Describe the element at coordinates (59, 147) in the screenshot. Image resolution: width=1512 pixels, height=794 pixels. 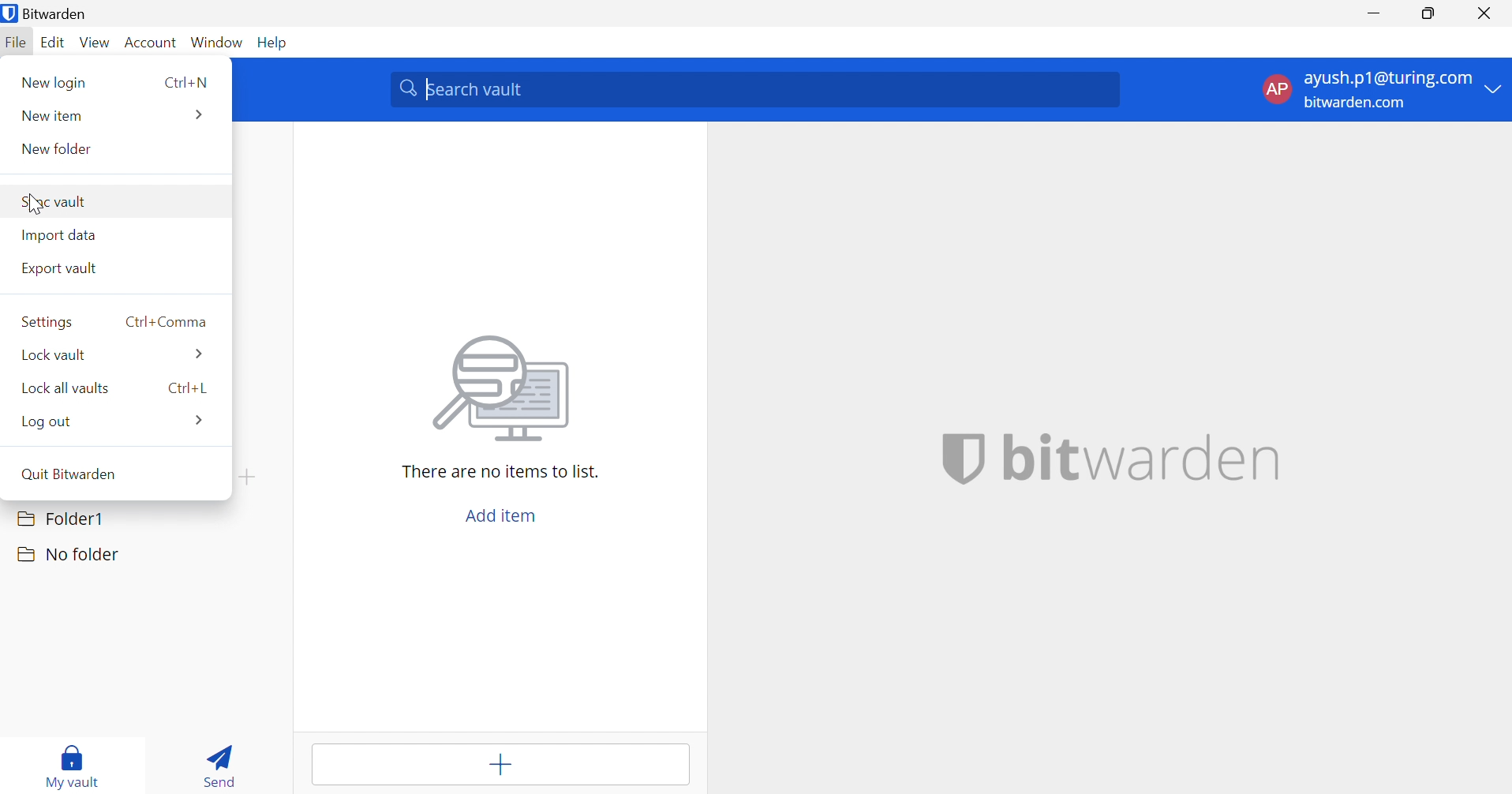
I see `New folder` at that location.